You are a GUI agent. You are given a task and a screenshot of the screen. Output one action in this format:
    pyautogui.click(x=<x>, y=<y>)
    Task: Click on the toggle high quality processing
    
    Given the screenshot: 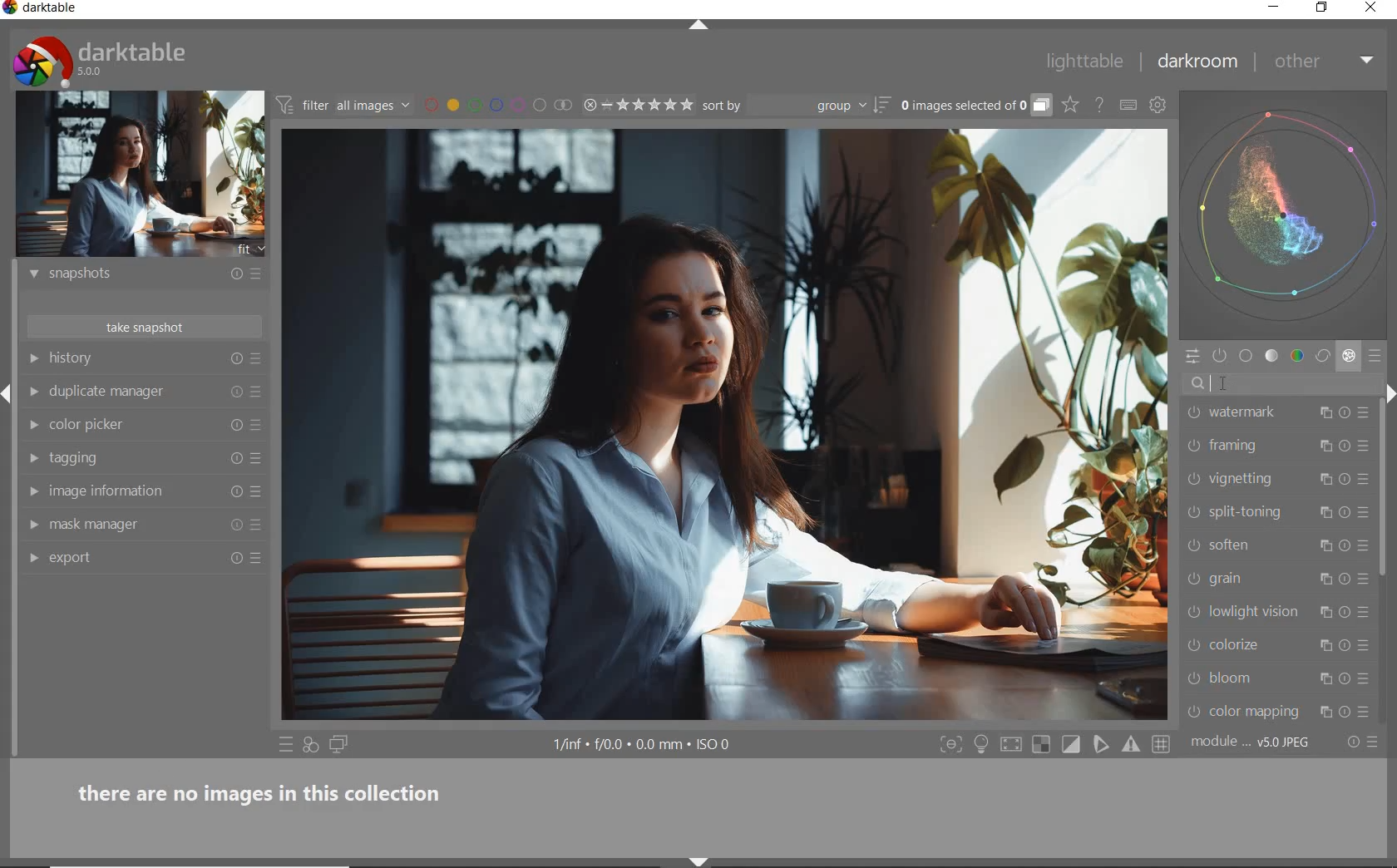 What is the action you would take?
    pyautogui.click(x=1013, y=745)
    